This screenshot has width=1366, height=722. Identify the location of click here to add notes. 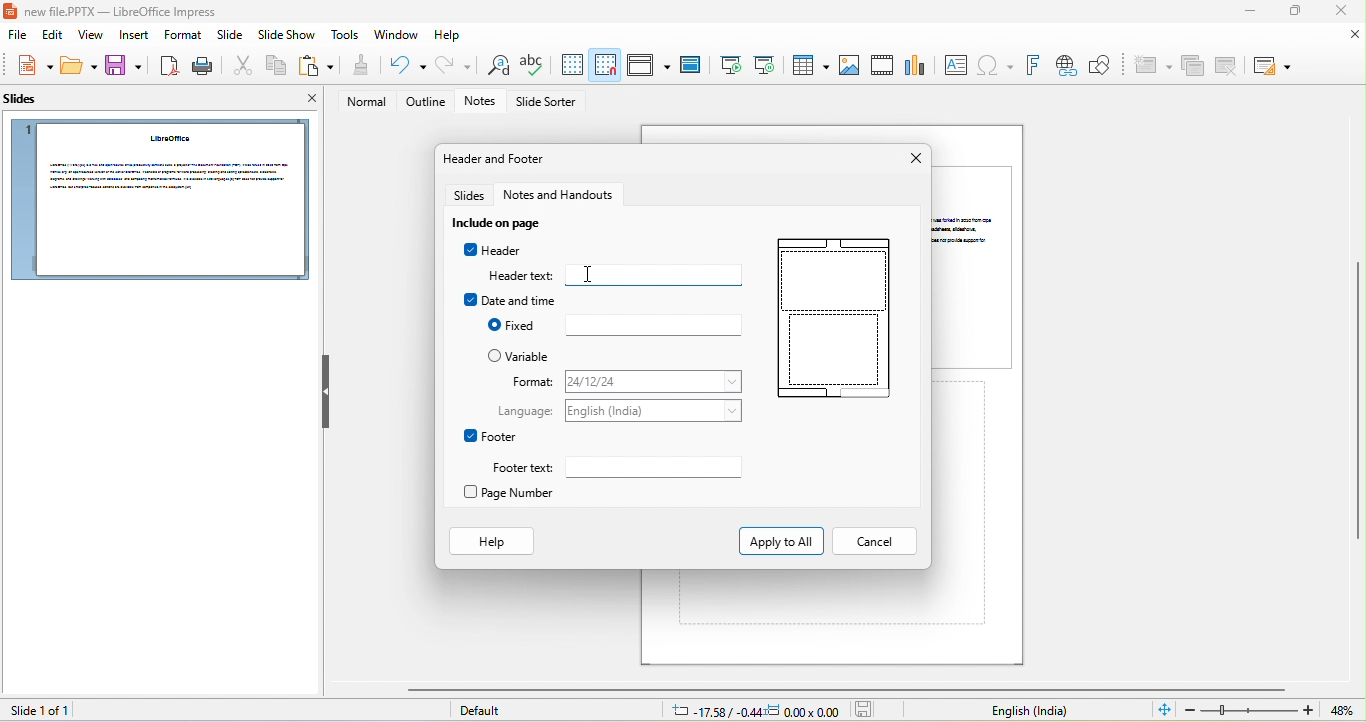
(805, 597).